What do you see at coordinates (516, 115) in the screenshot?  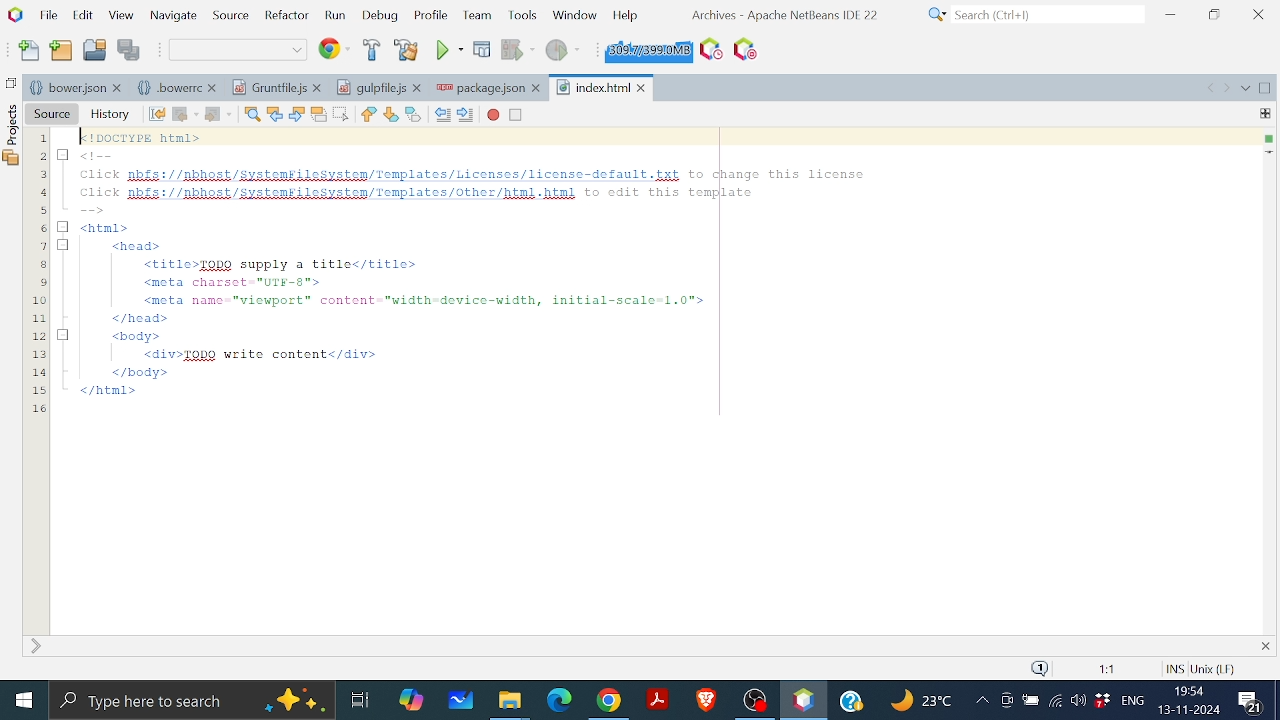 I see `Start macro recording` at bounding box center [516, 115].